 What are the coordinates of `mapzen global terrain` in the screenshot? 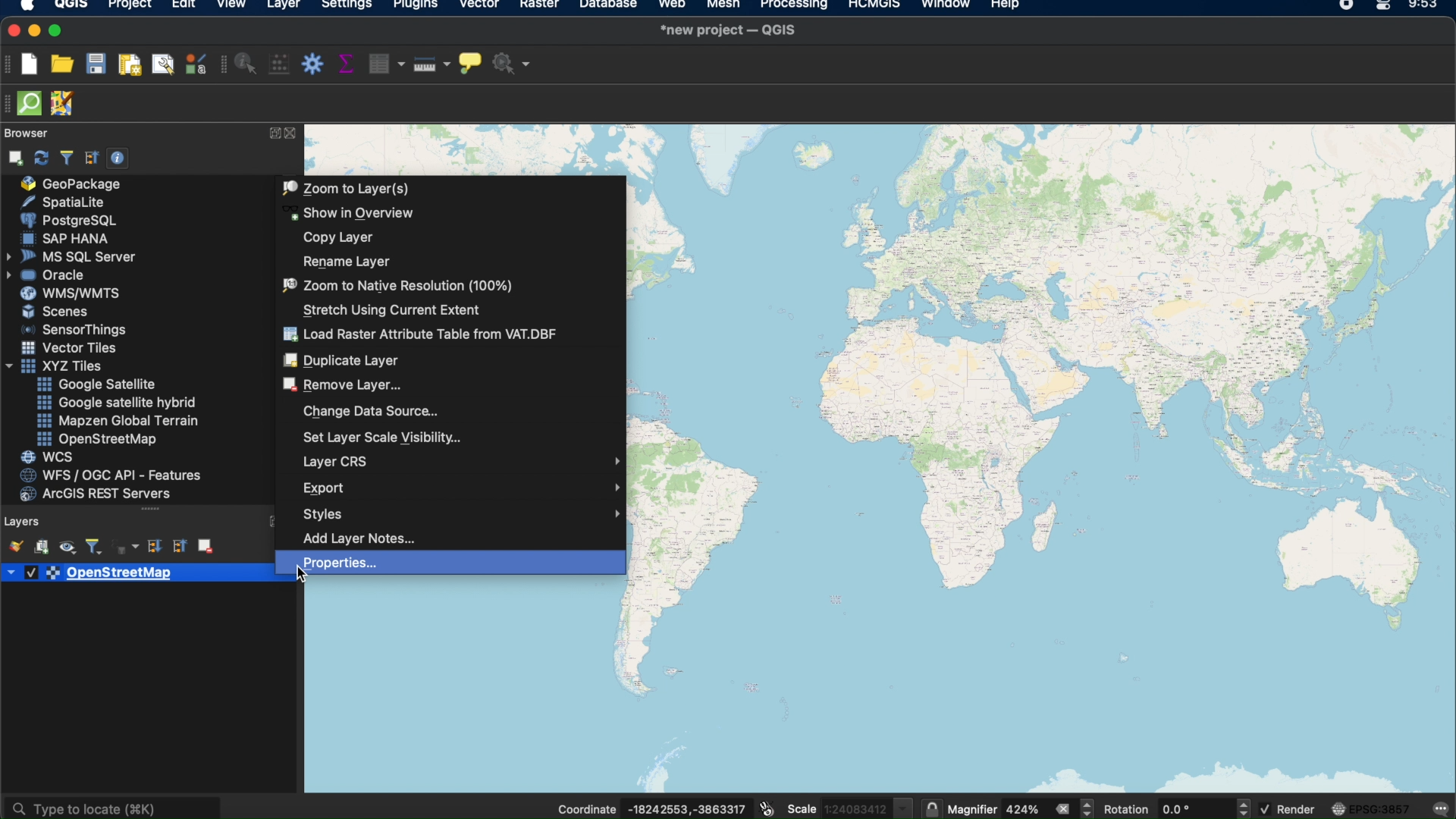 It's located at (116, 421).